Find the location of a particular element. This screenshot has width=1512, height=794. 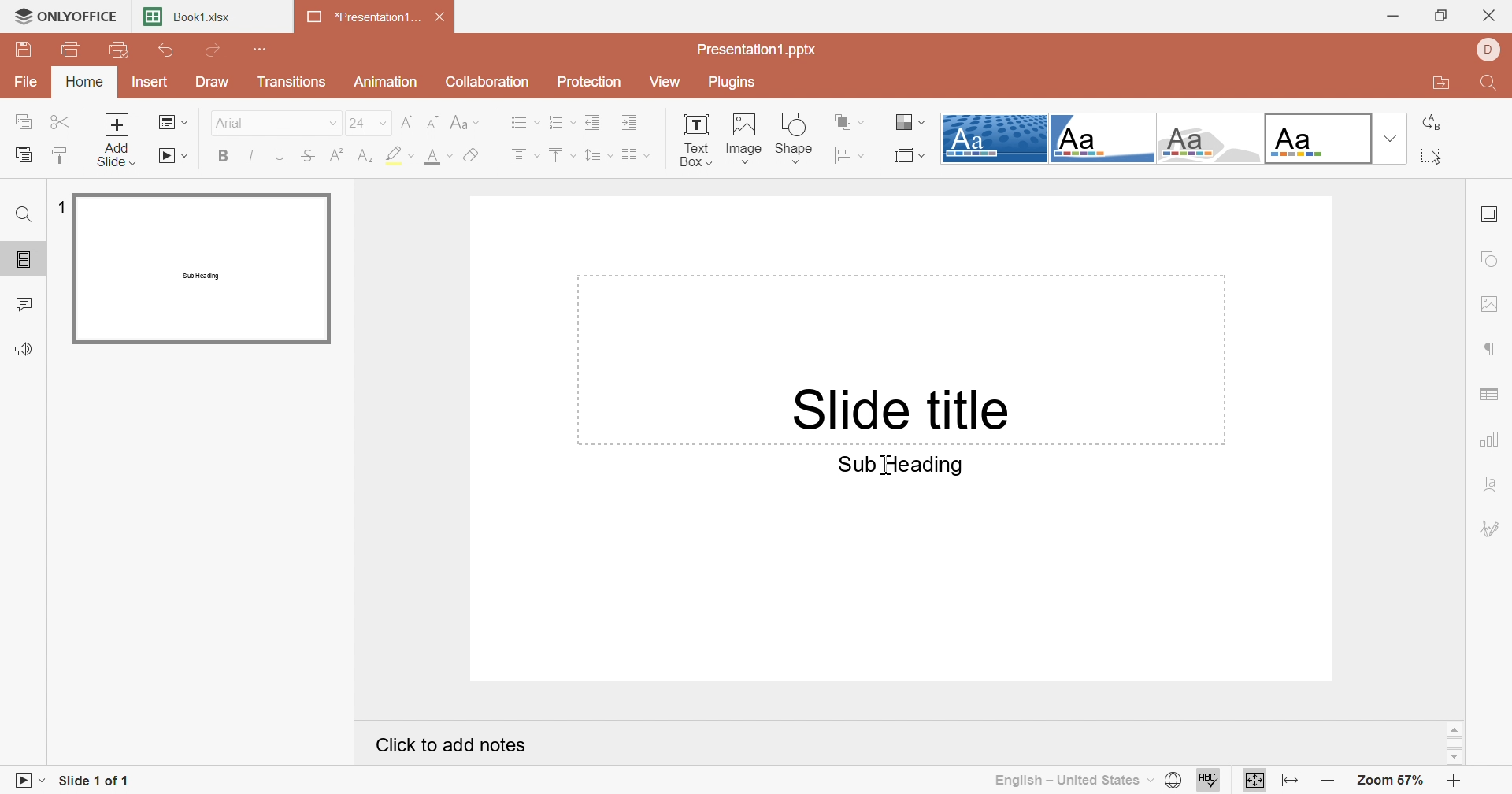

Zoom 57% is located at coordinates (1392, 781).